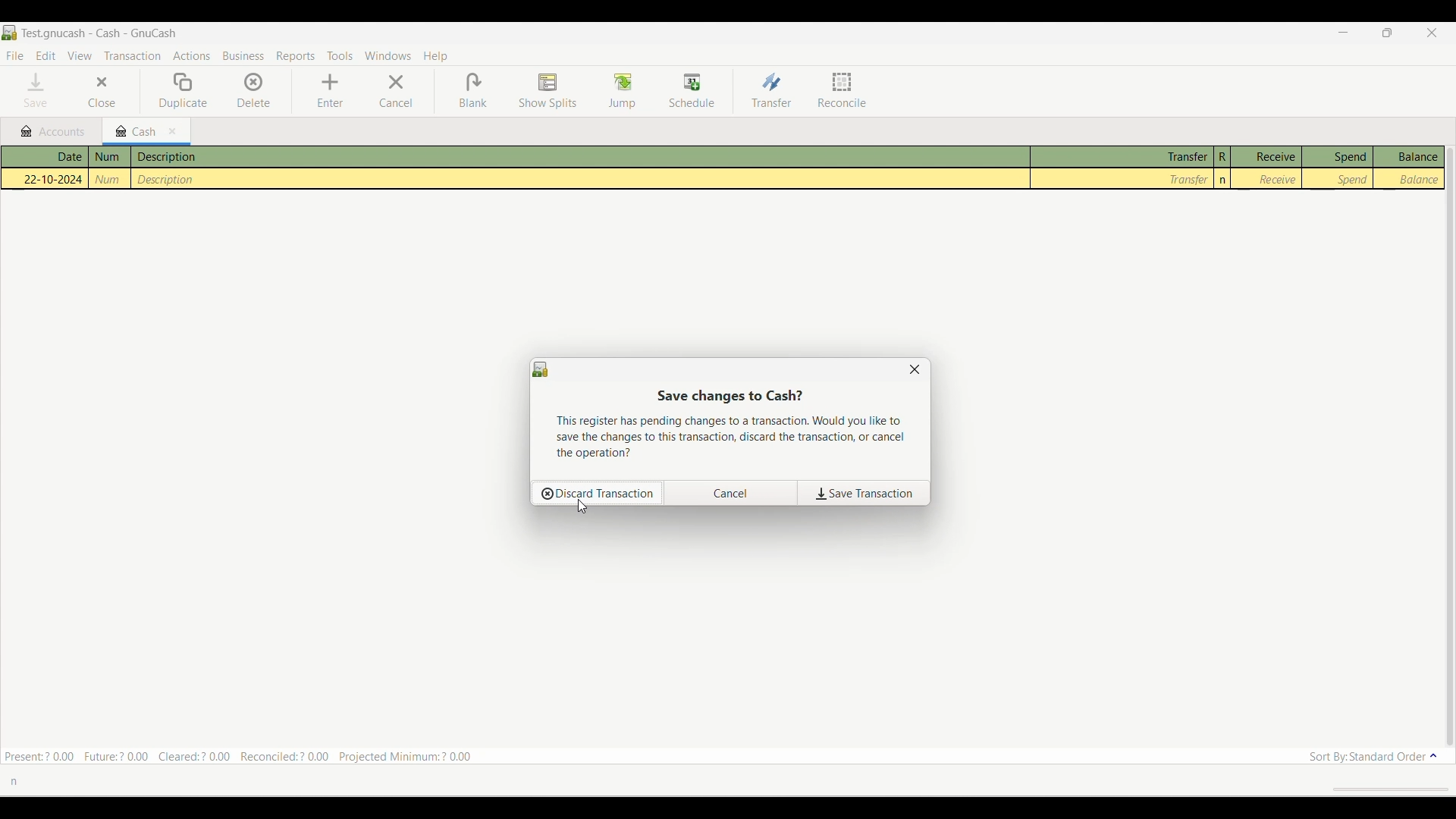 This screenshot has height=819, width=1456. What do you see at coordinates (132, 56) in the screenshot?
I see `Transaction` at bounding box center [132, 56].